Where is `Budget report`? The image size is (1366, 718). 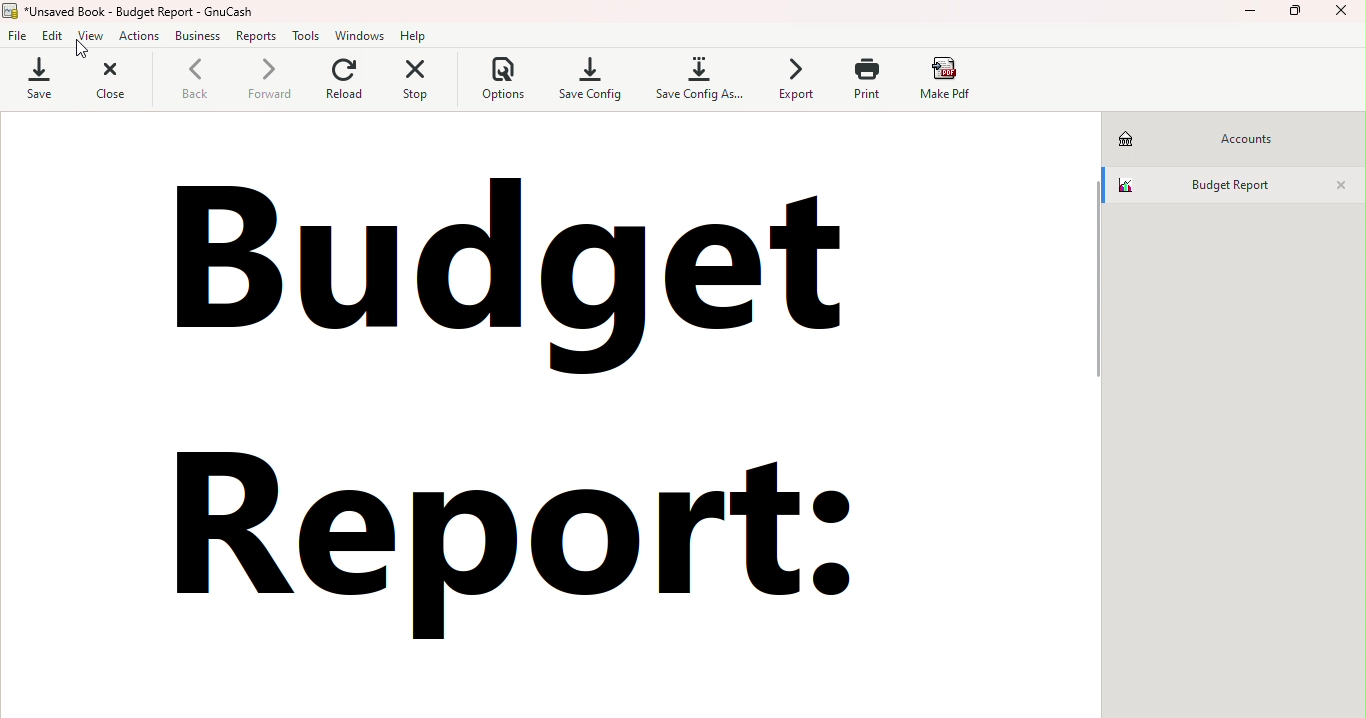 Budget report is located at coordinates (1212, 184).